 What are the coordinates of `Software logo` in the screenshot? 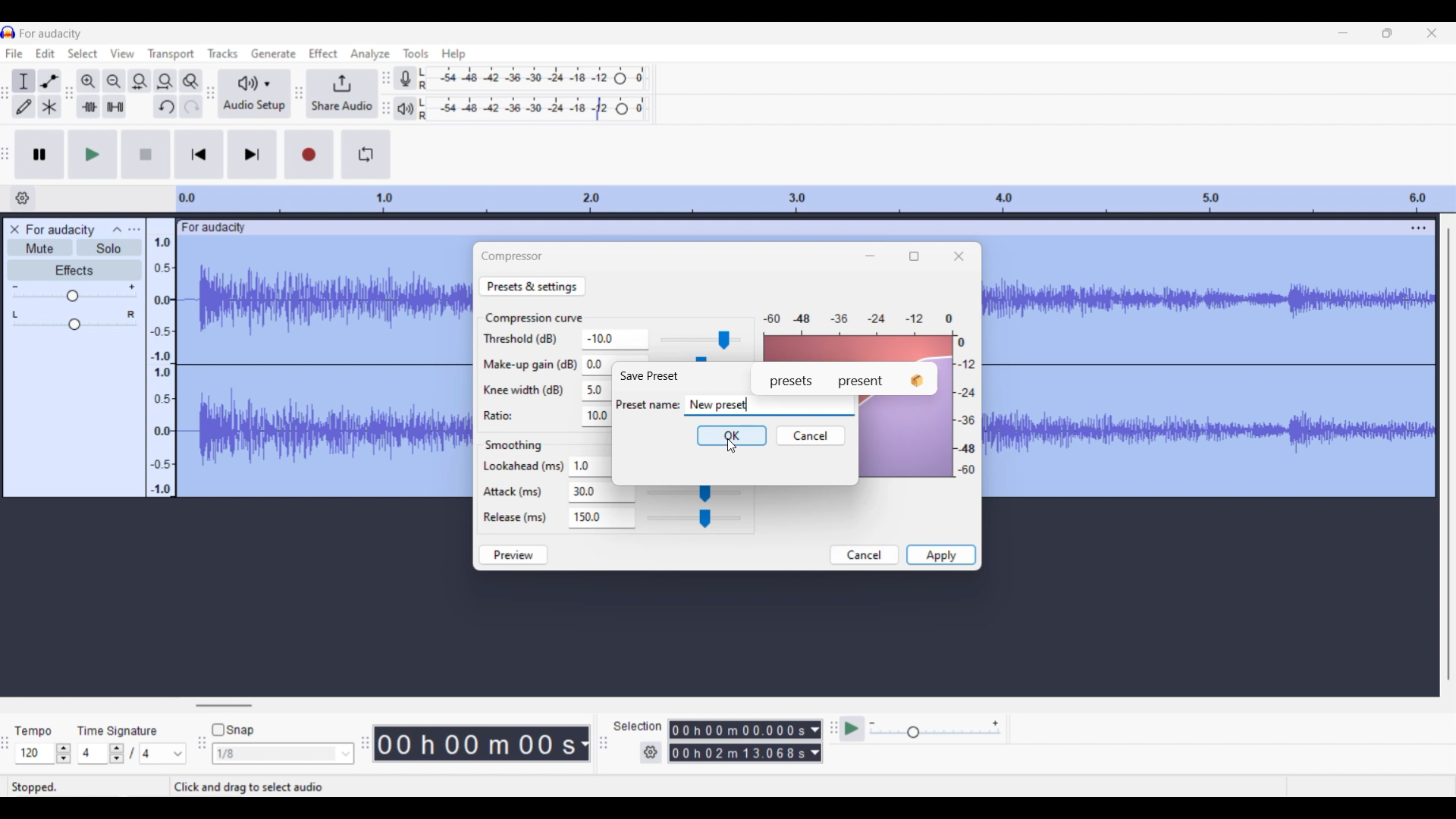 It's located at (8, 33).